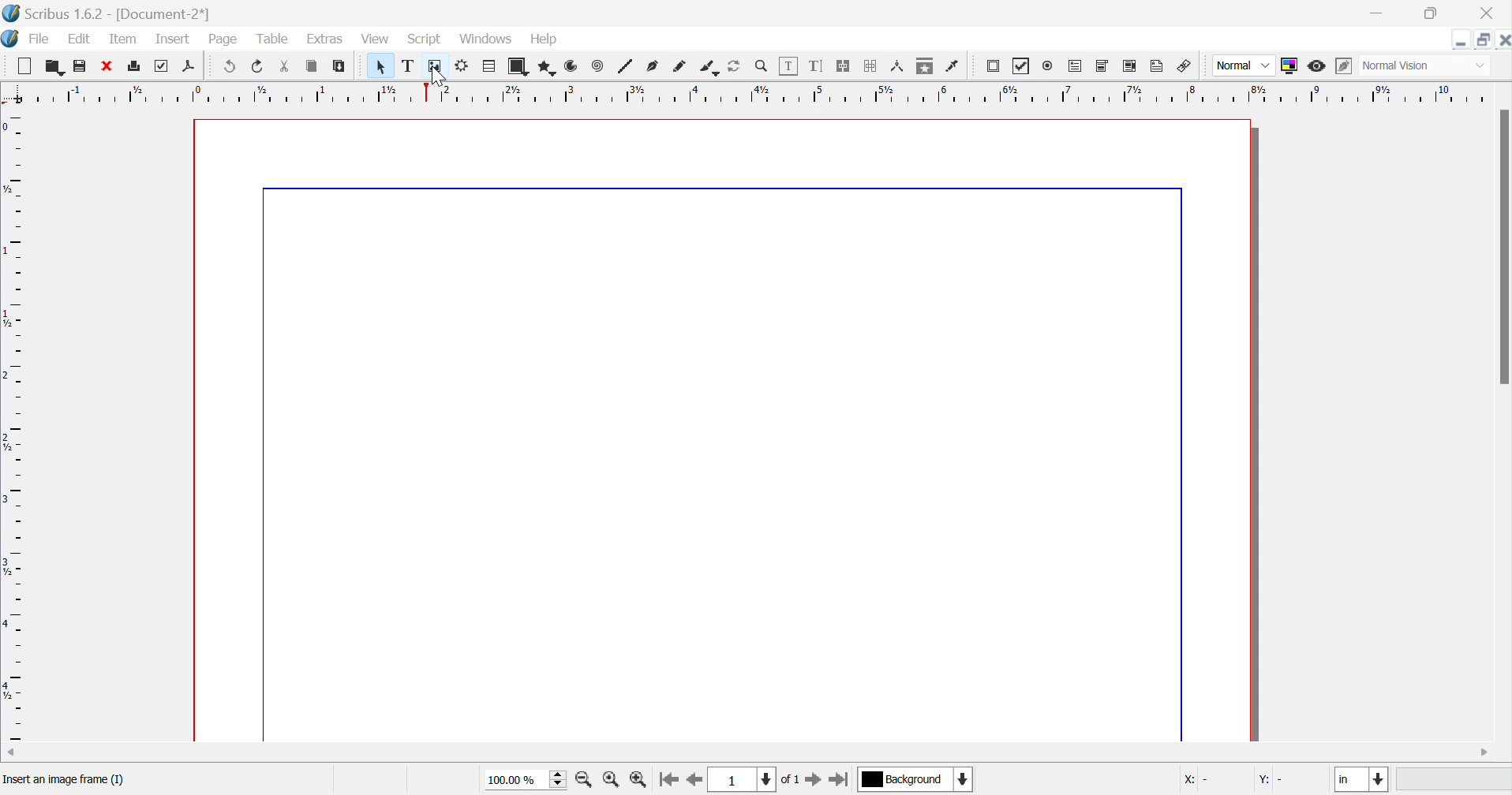 The height and width of the screenshot is (795, 1512). What do you see at coordinates (1025, 66) in the screenshot?
I see `PDF checkbox` at bounding box center [1025, 66].